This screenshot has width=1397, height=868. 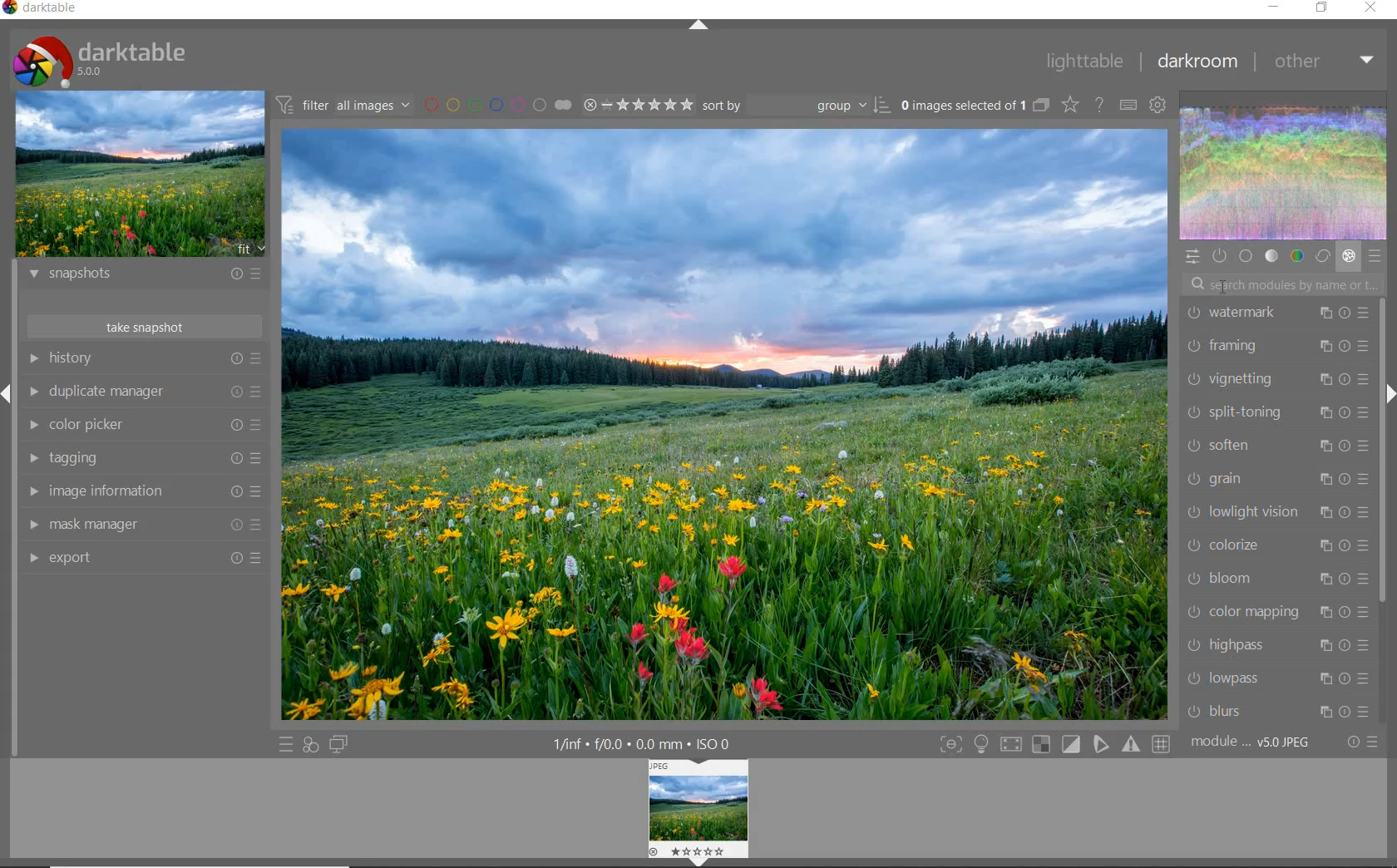 I want to click on reset or presets & preferences, so click(x=1360, y=745).